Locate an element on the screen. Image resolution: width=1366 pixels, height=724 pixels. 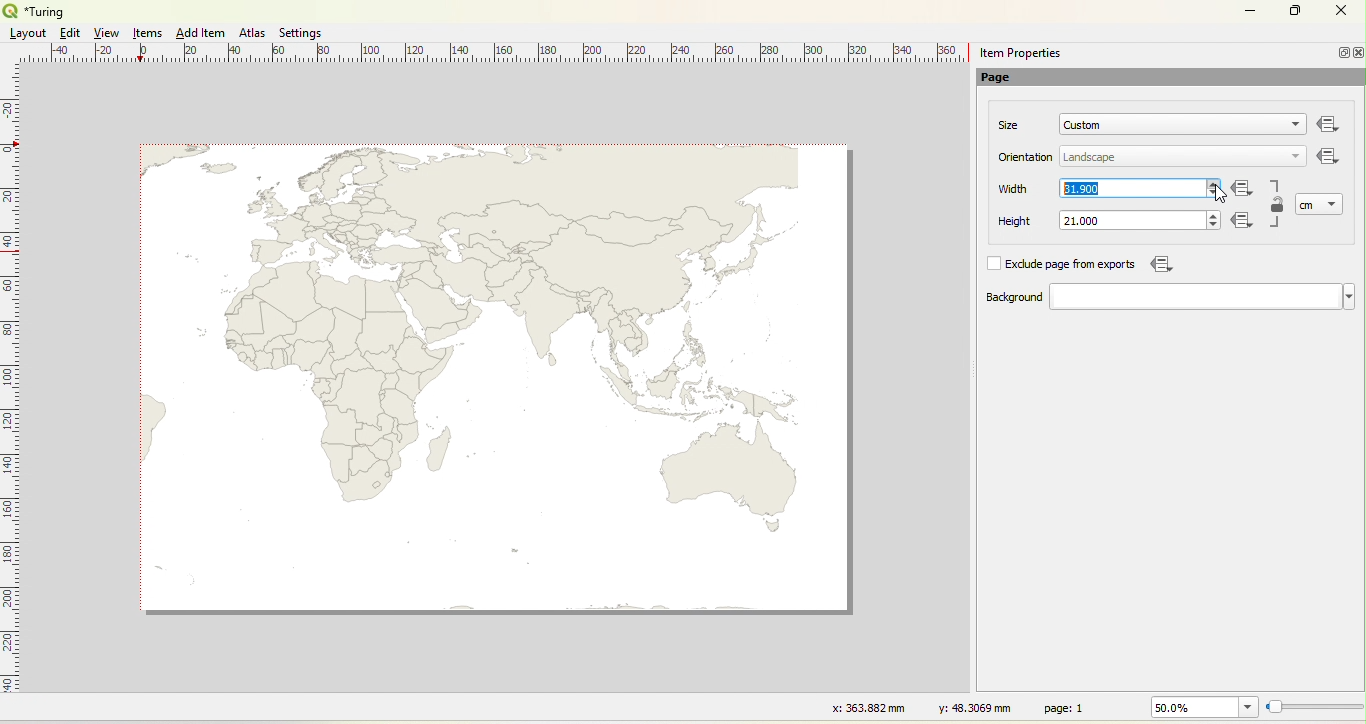
Ruler is located at coordinates (11, 391).